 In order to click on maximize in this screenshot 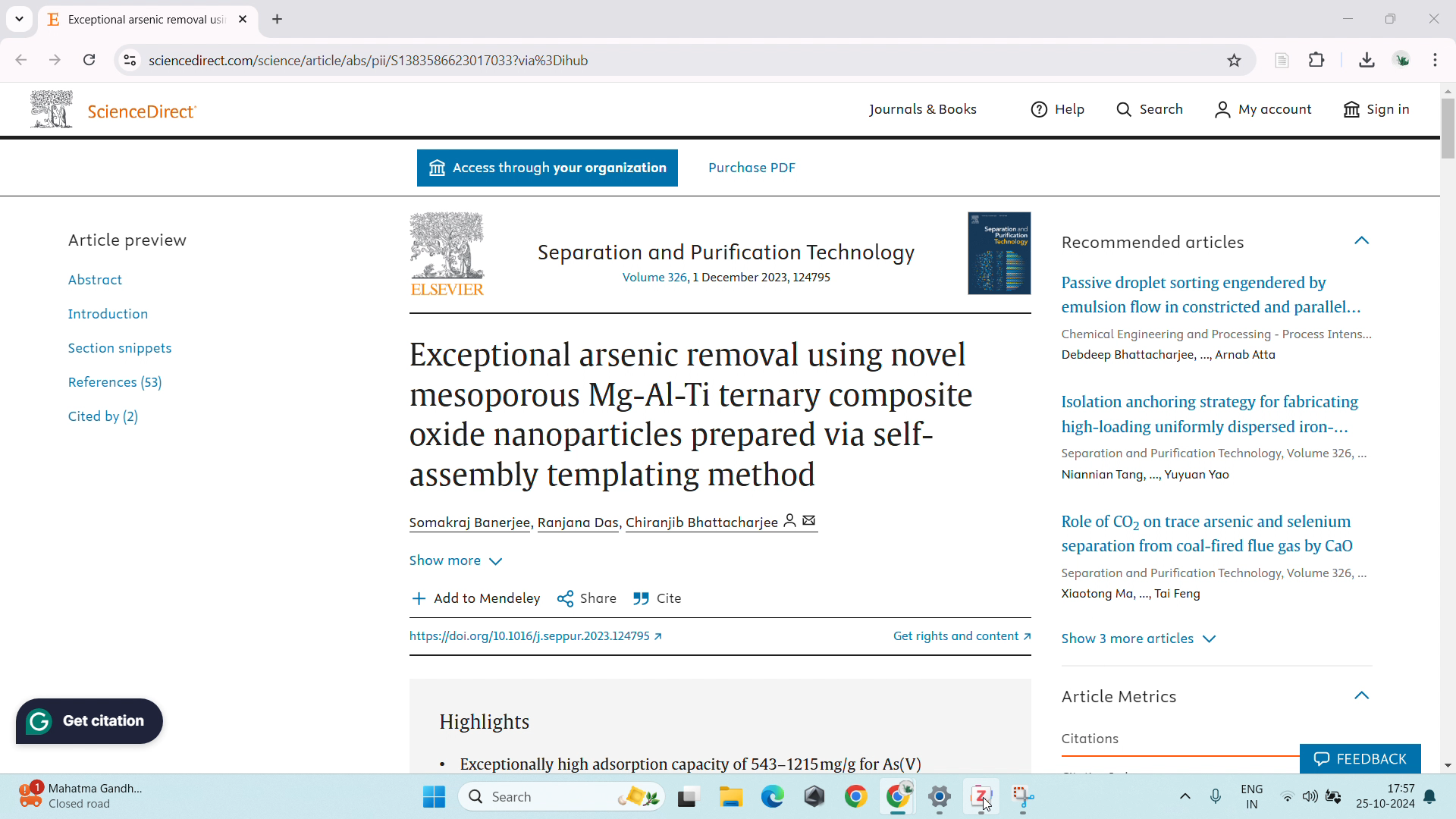, I will do `click(1395, 19)`.